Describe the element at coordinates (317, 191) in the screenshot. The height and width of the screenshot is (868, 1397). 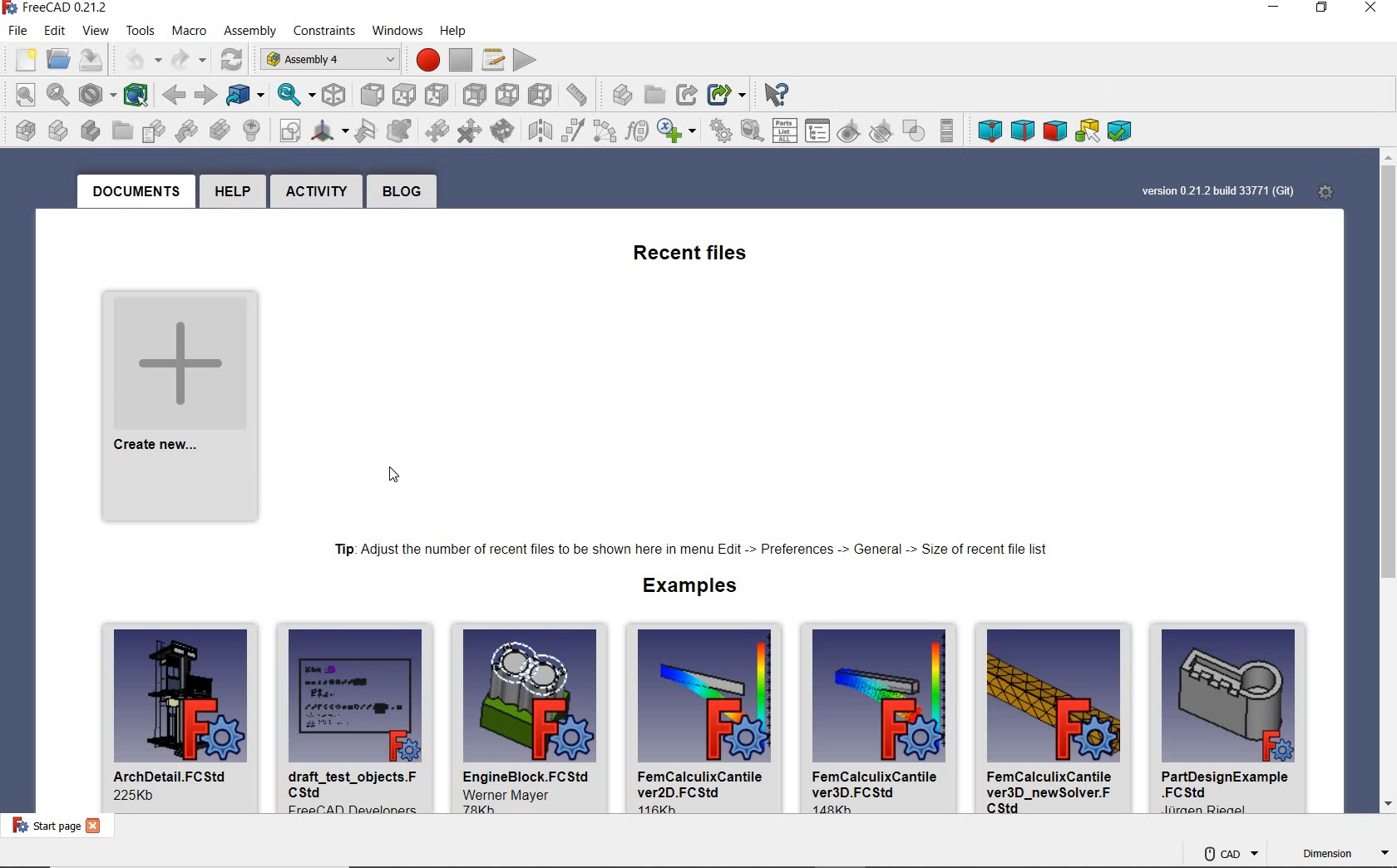
I see `activity` at that location.